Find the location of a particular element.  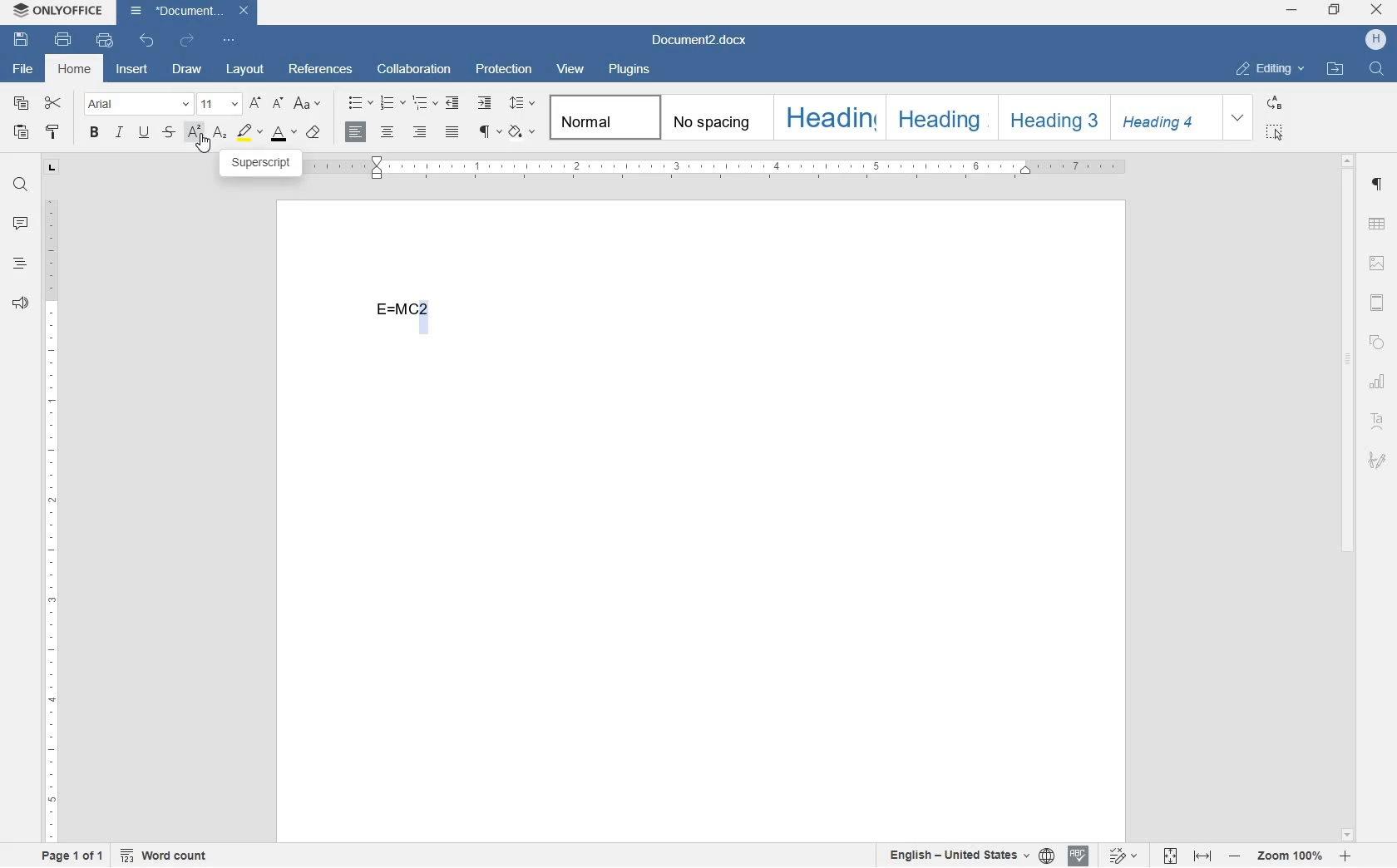

non printing characters is located at coordinates (488, 133).